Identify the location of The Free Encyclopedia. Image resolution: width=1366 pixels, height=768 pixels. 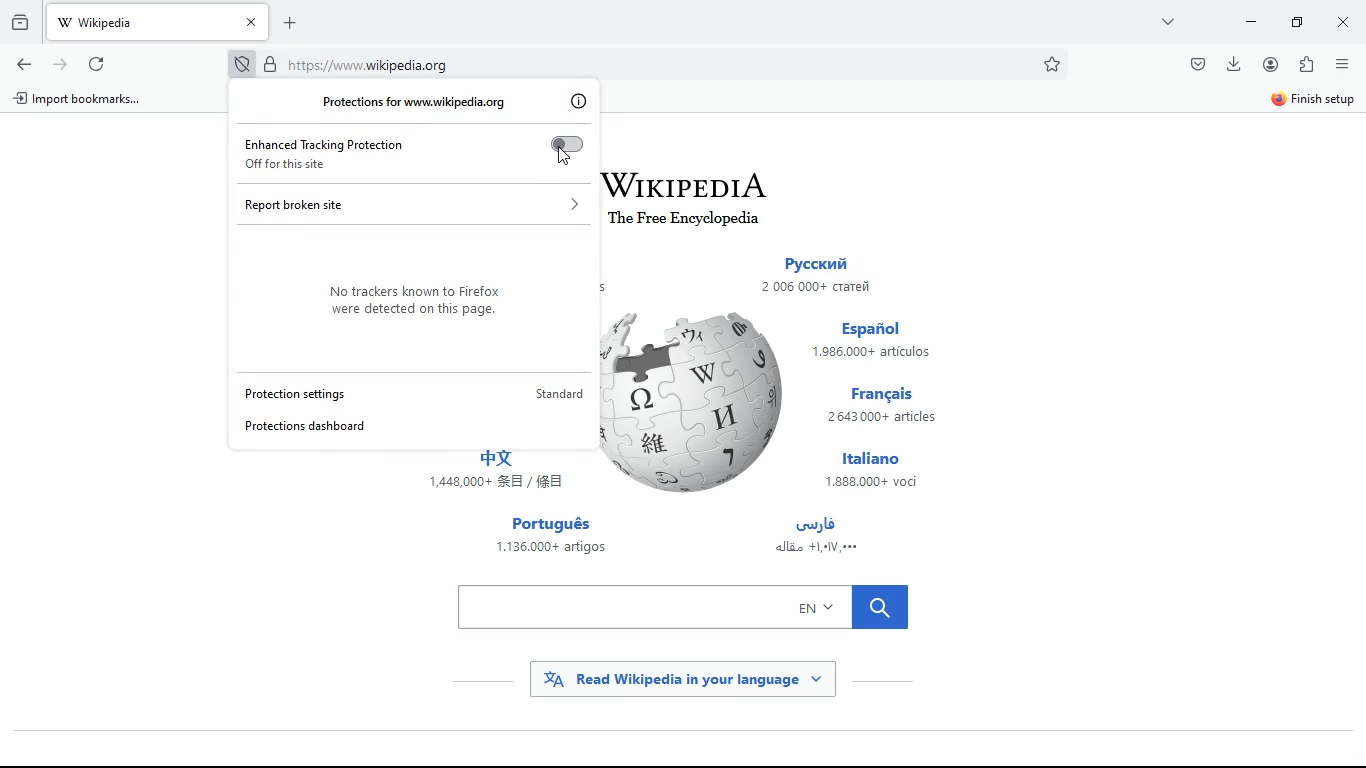
(690, 222).